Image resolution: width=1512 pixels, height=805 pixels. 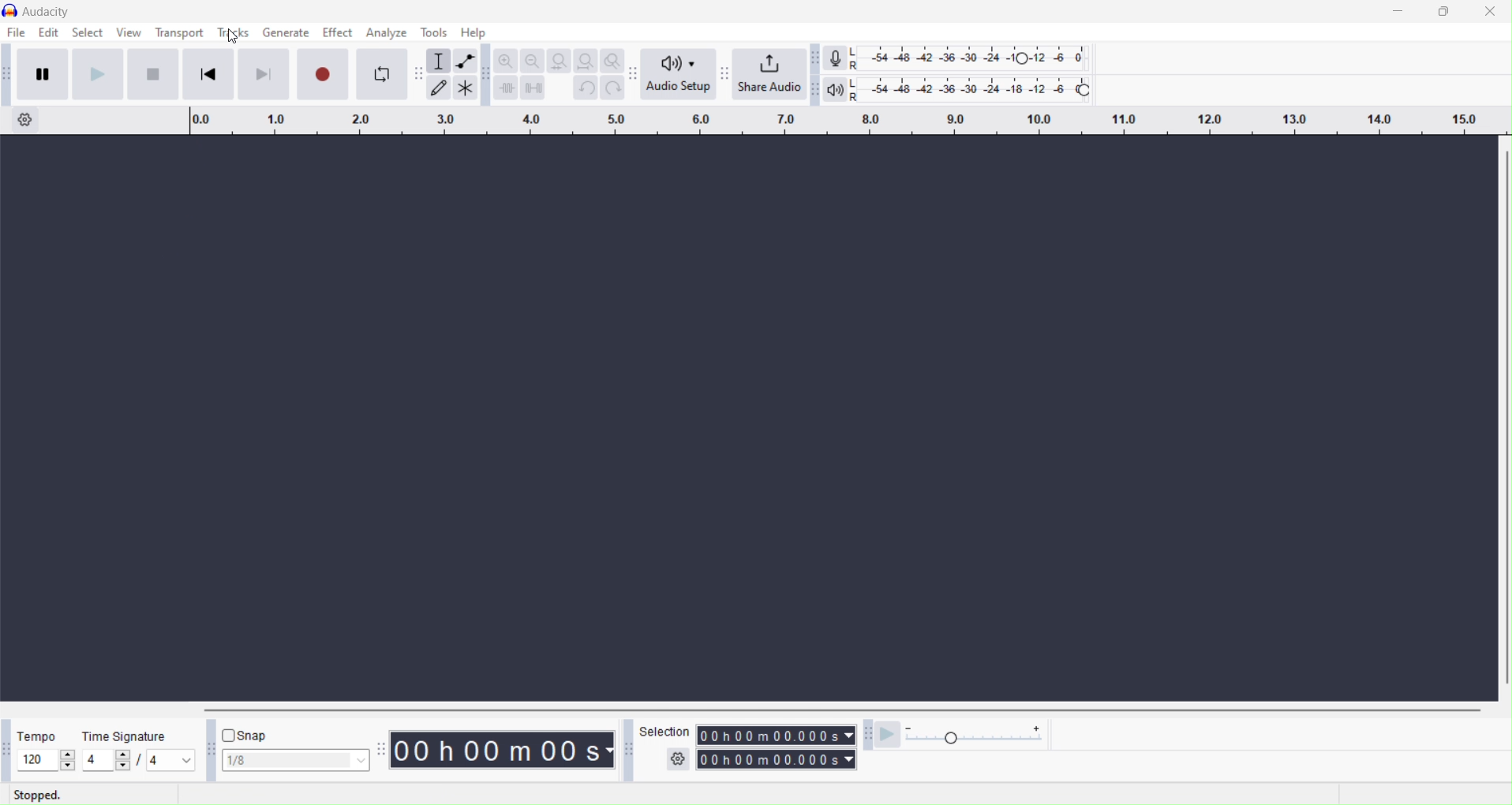 What do you see at coordinates (182, 32) in the screenshot?
I see `Transport` at bounding box center [182, 32].